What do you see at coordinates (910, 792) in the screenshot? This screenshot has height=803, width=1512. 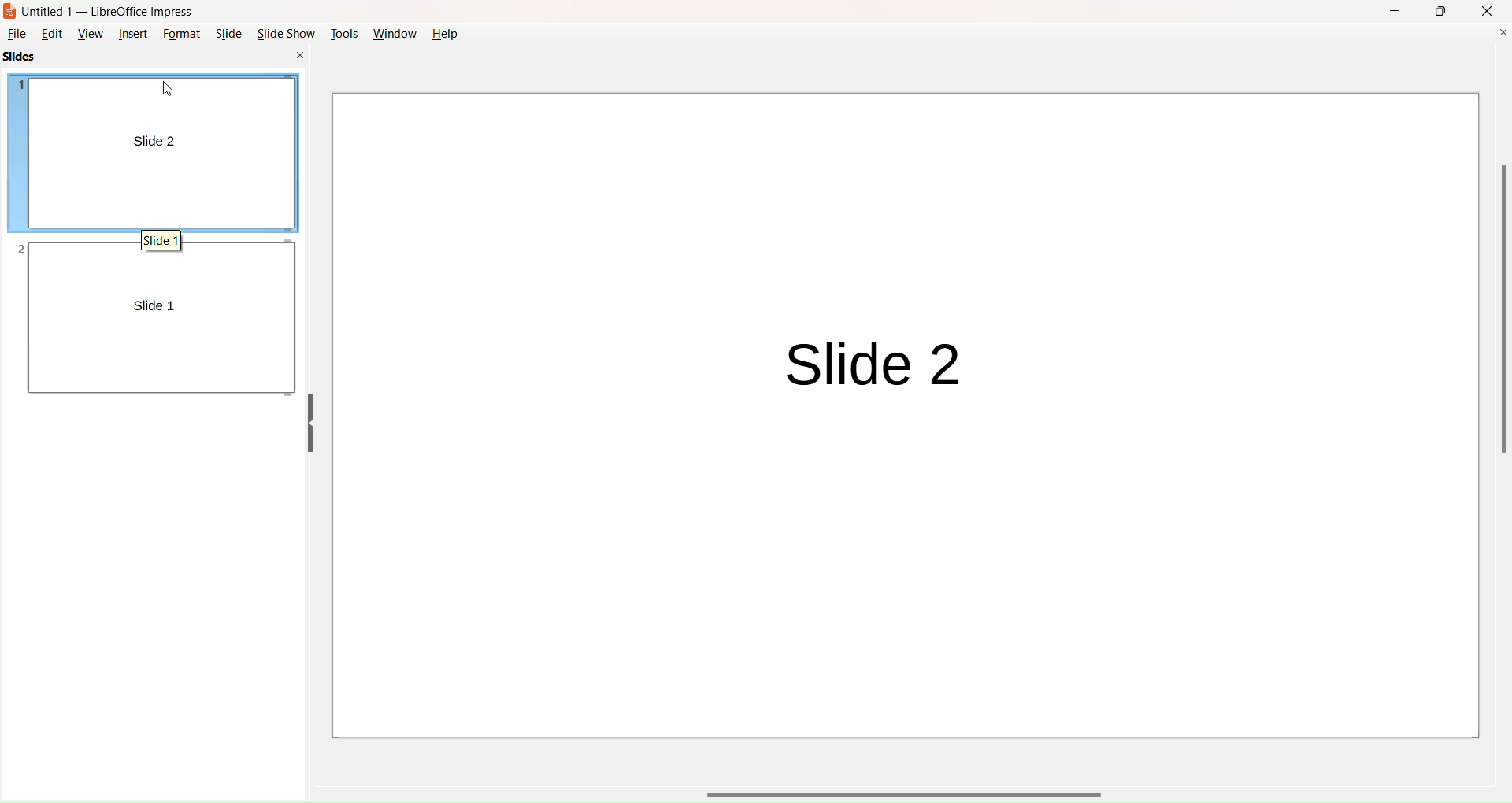 I see `horizontal scroll bar` at bounding box center [910, 792].